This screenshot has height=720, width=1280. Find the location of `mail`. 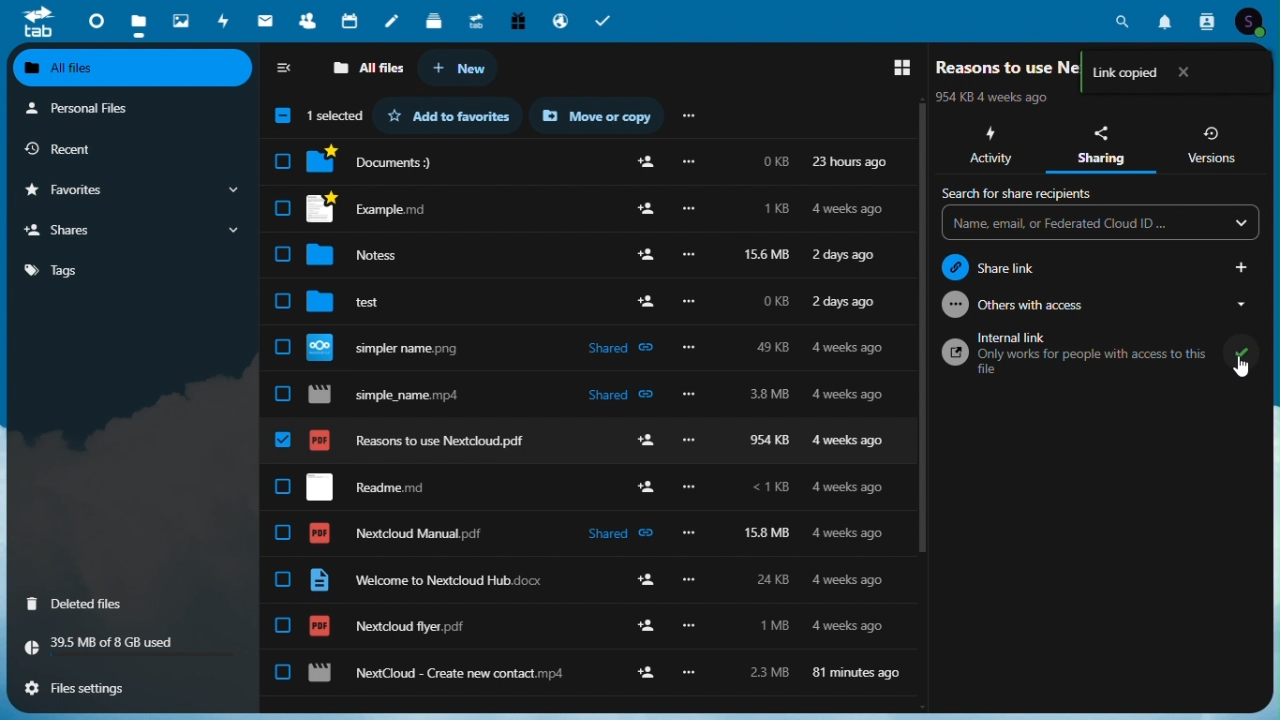

mail is located at coordinates (266, 23).